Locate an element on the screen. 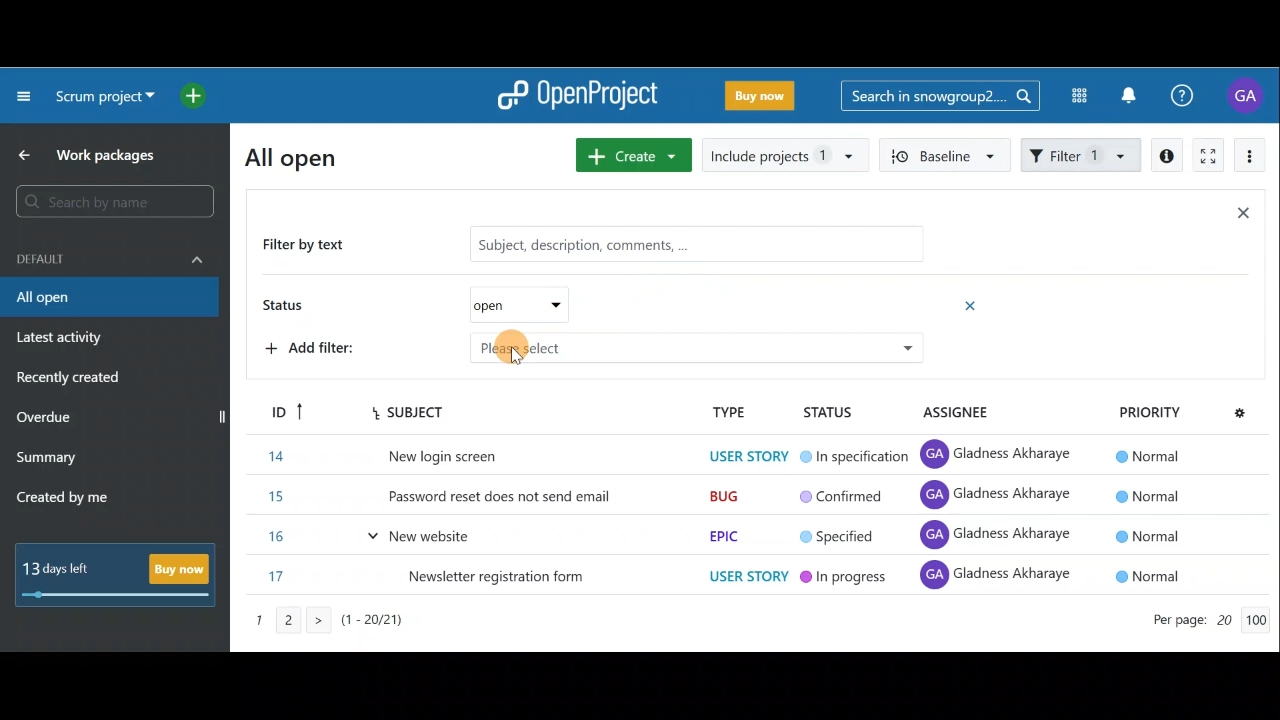 Image resolution: width=1280 pixels, height=720 pixels. Item 6 is located at coordinates (725, 455).